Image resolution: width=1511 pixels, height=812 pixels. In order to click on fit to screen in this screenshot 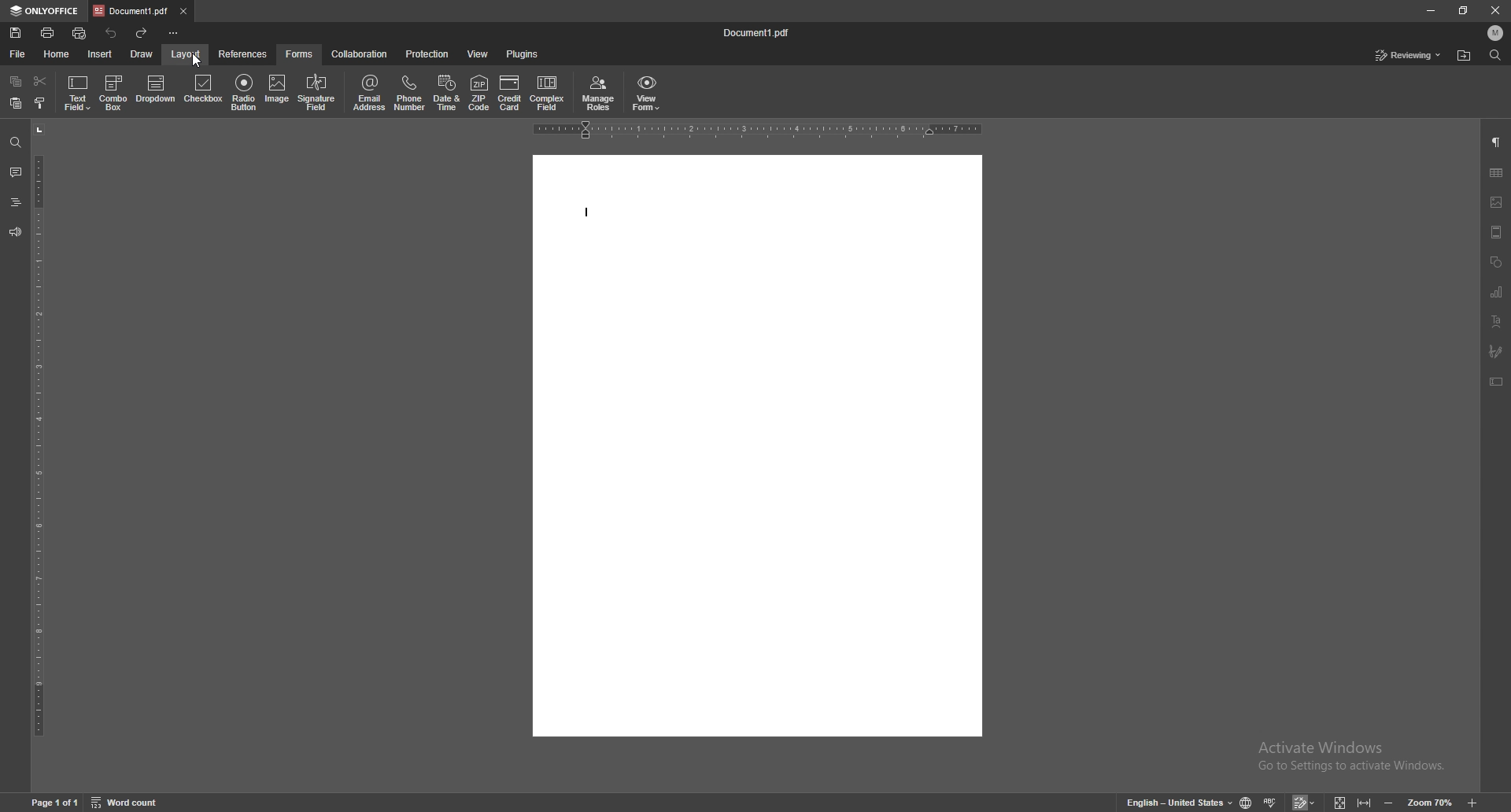, I will do `click(1340, 803)`.